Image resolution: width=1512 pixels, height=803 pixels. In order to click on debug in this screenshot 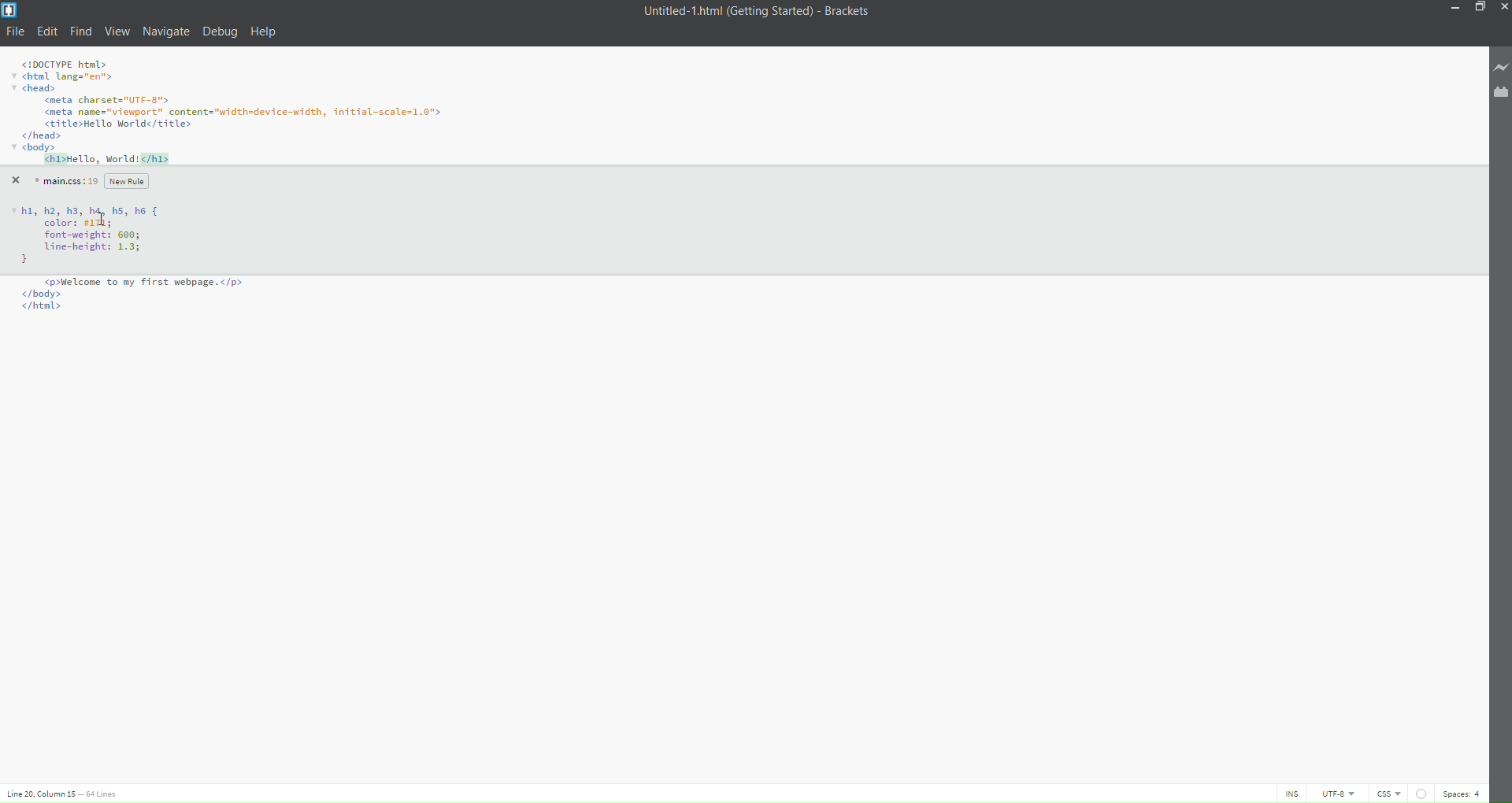, I will do `click(219, 35)`.